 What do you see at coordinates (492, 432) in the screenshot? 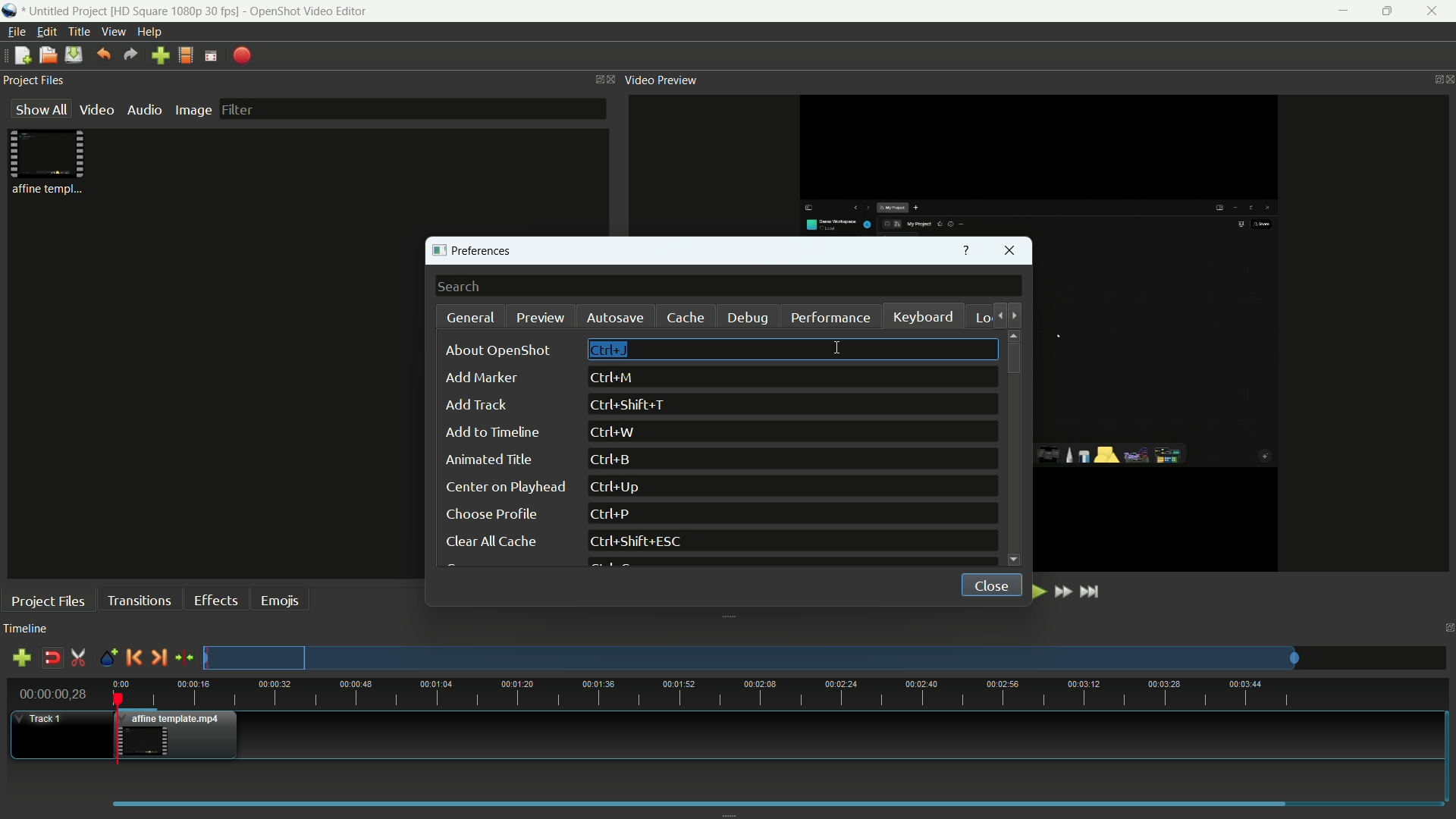
I see `add to timeline` at bounding box center [492, 432].